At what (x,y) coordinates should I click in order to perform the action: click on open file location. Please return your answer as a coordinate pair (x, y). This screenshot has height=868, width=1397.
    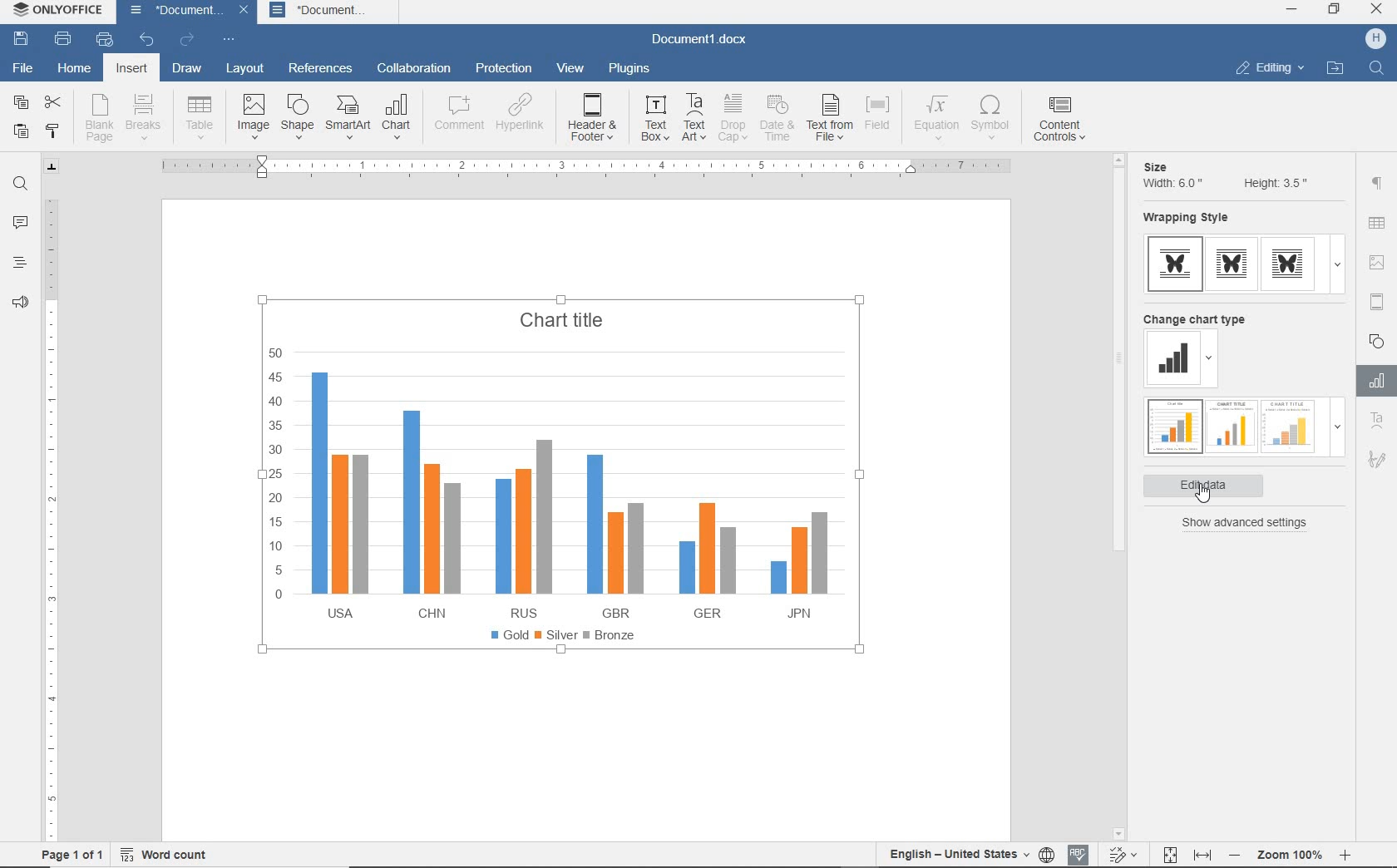
    Looking at the image, I should click on (1335, 69).